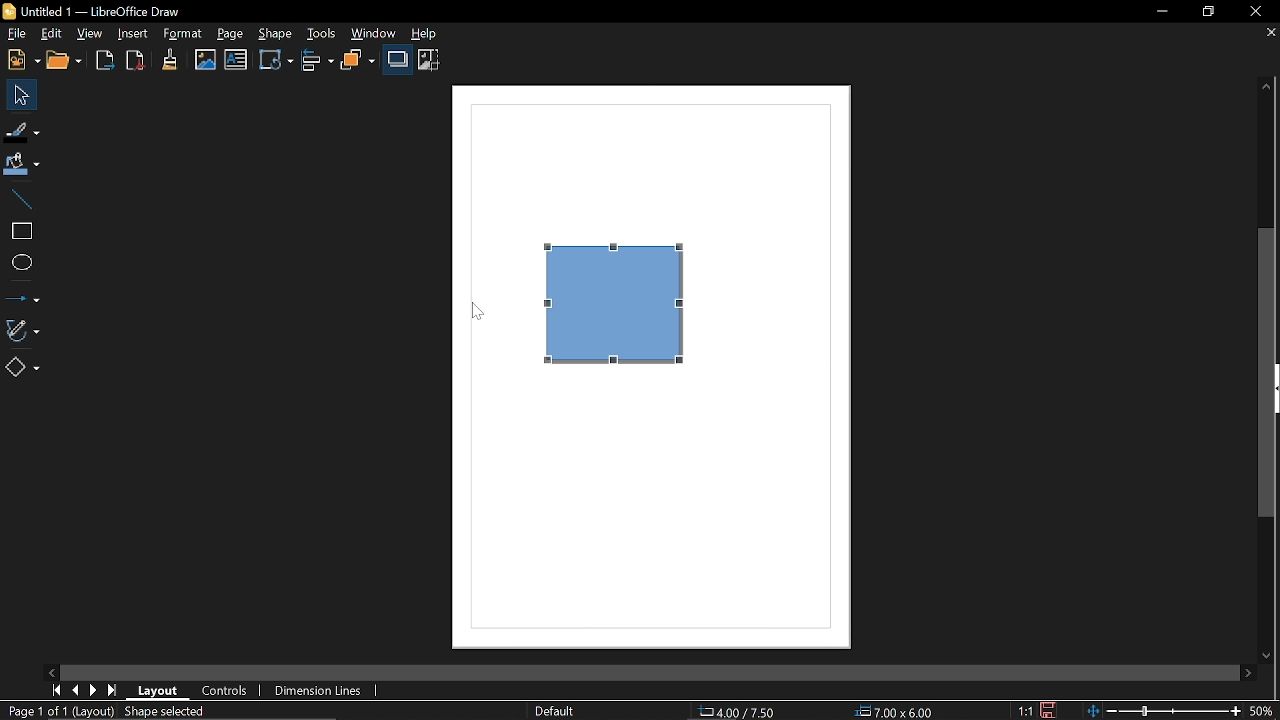  Describe the element at coordinates (1026, 711) in the screenshot. I see `Scaling factor` at that location.